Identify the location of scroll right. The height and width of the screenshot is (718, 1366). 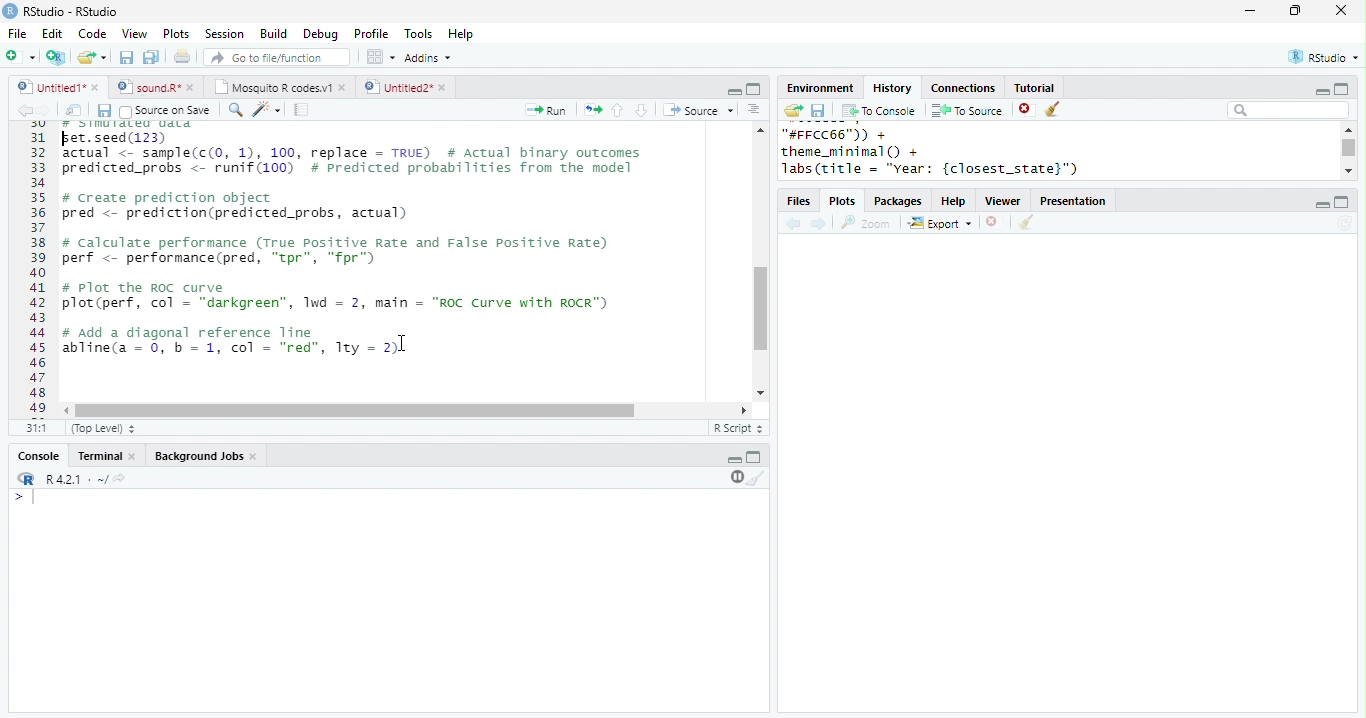
(740, 410).